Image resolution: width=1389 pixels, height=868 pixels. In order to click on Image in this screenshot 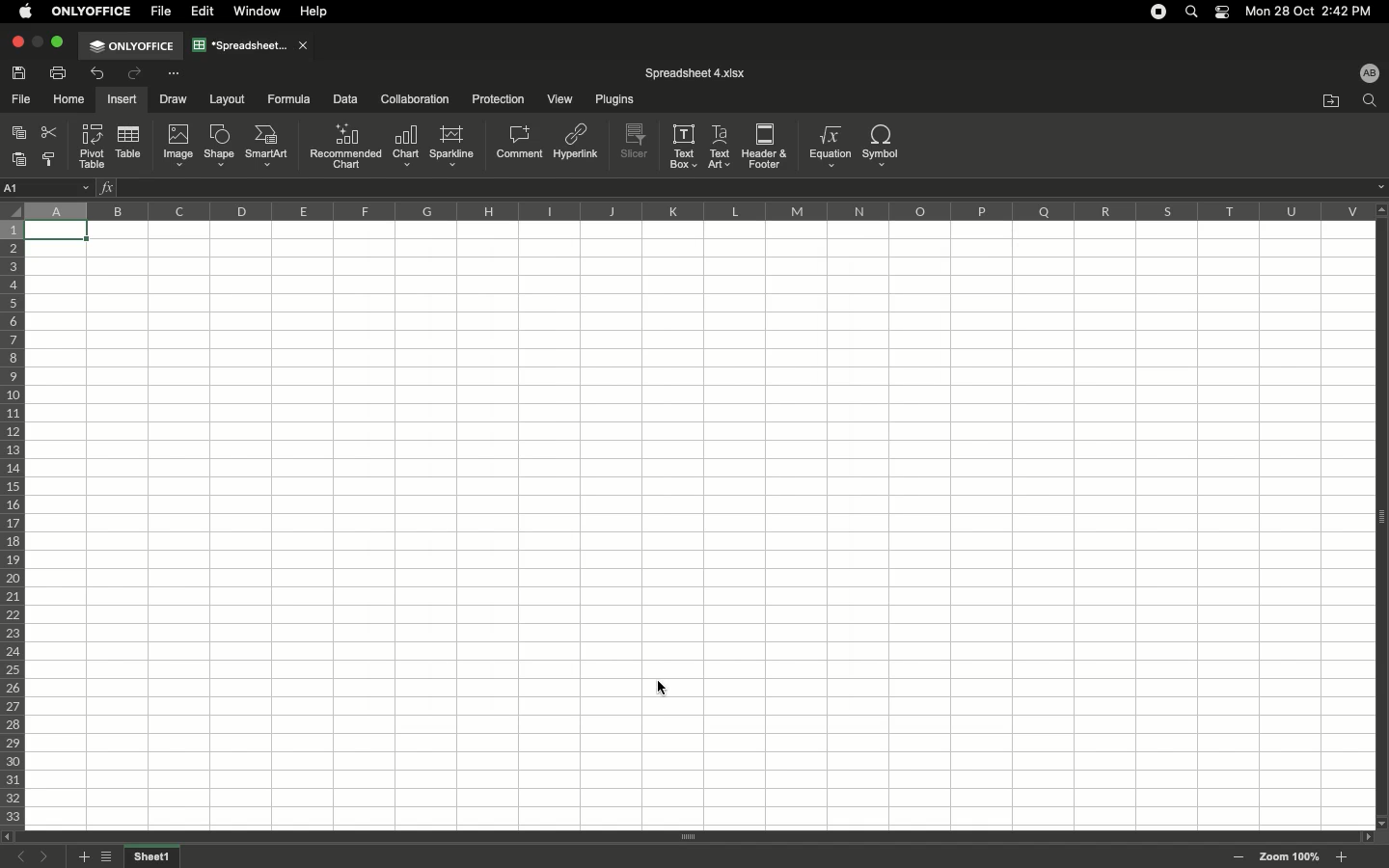, I will do `click(178, 146)`.